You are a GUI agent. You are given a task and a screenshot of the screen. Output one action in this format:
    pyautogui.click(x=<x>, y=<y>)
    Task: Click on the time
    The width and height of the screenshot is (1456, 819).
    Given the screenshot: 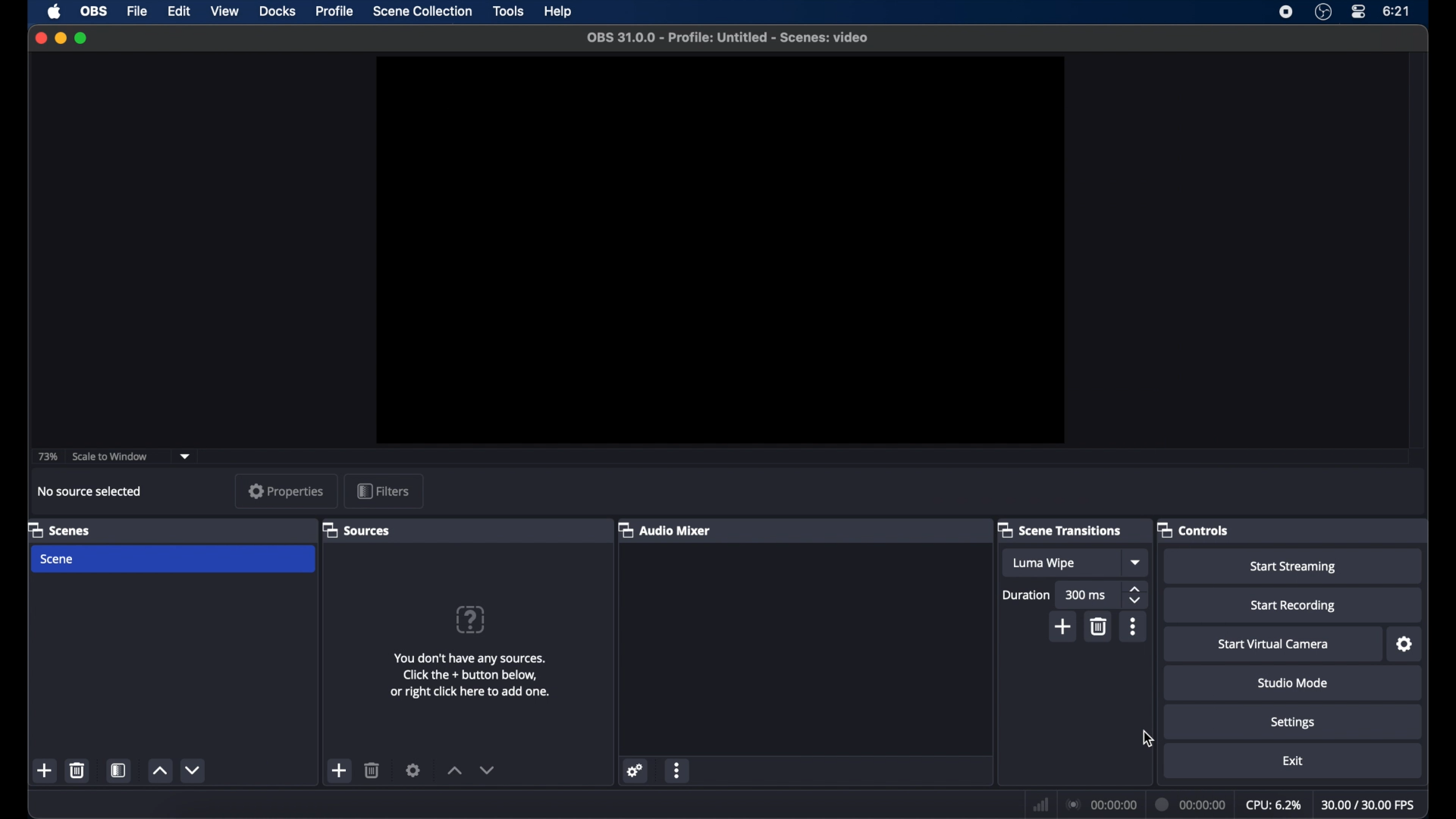 What is the action you would take?
    pyautogui.click(x=1397, y=11)
    